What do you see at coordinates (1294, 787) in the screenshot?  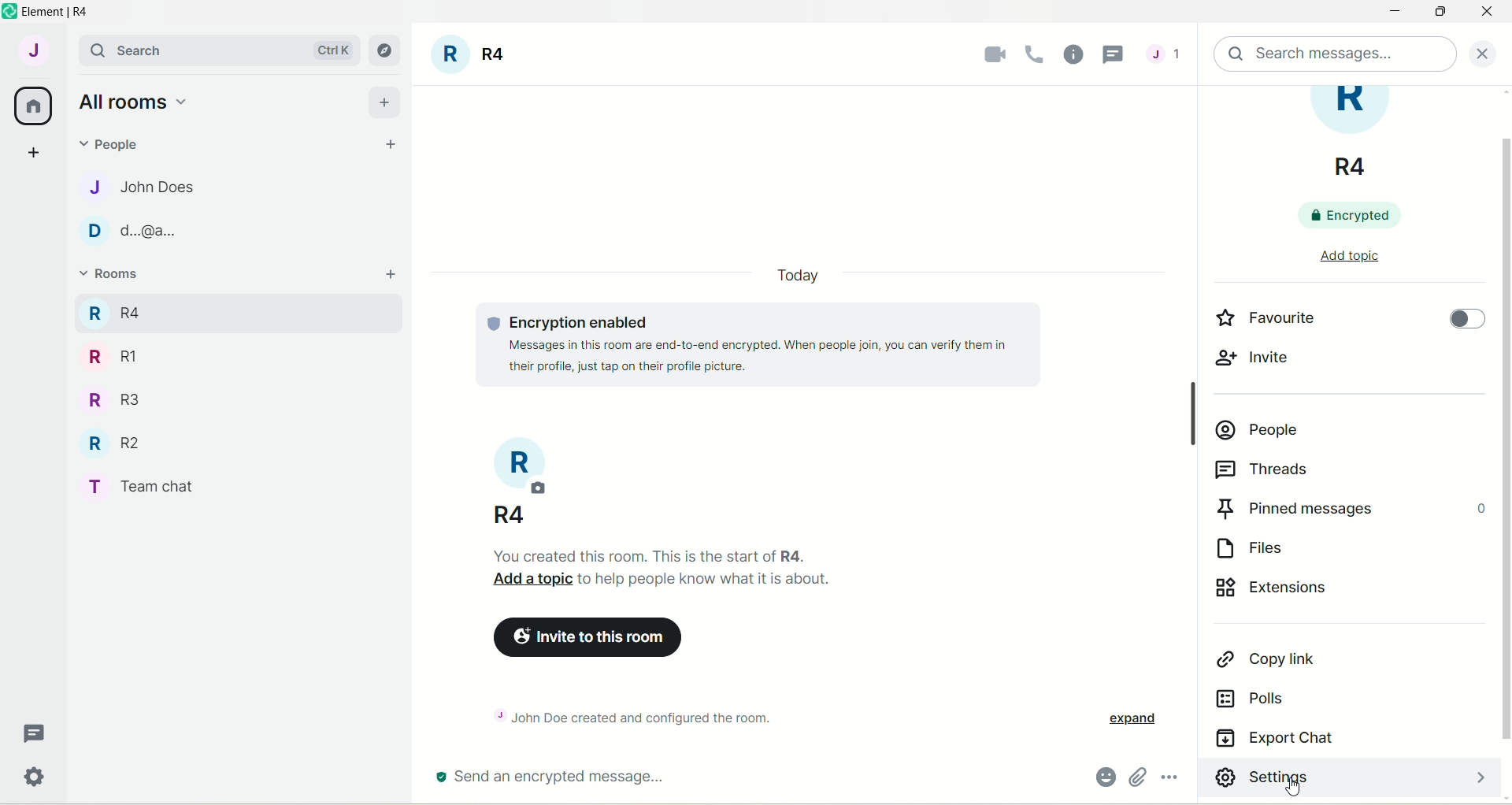 I see `cursor` at bounding box center [1294, 787].